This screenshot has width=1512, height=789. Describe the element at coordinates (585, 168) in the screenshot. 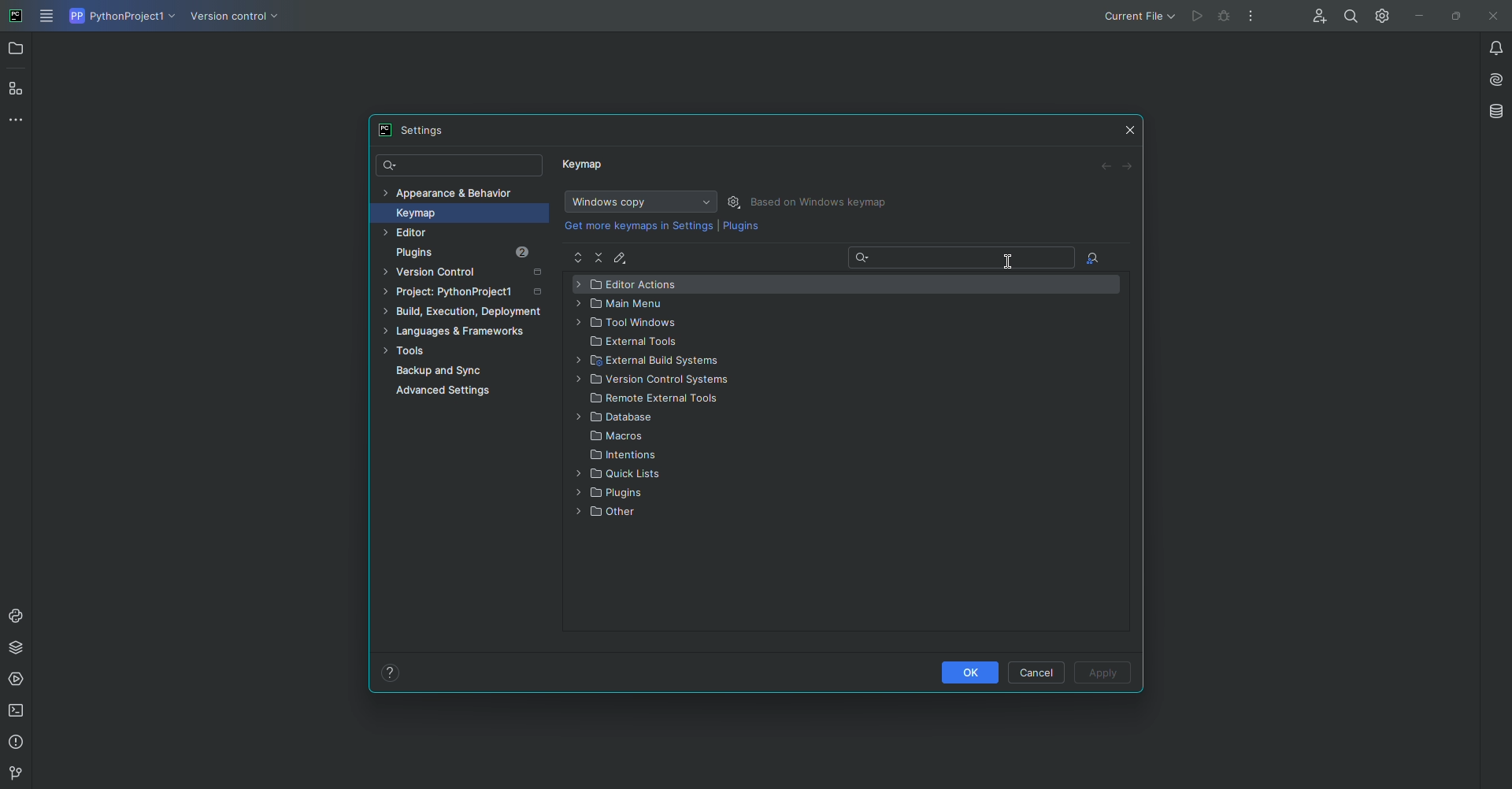

I see `Keymap` at that location.